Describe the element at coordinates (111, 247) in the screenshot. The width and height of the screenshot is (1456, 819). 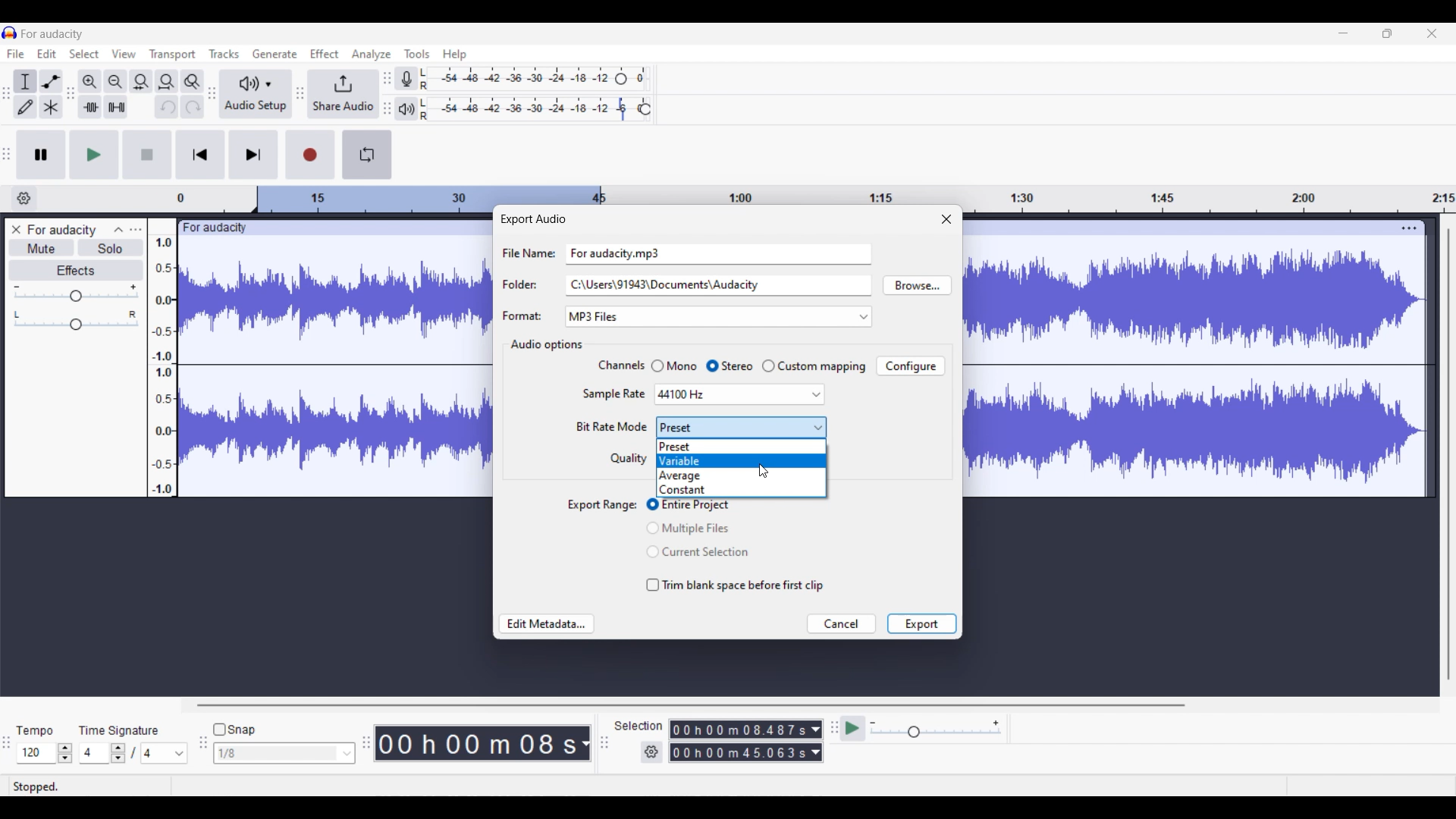
I see `Solo` at that location.